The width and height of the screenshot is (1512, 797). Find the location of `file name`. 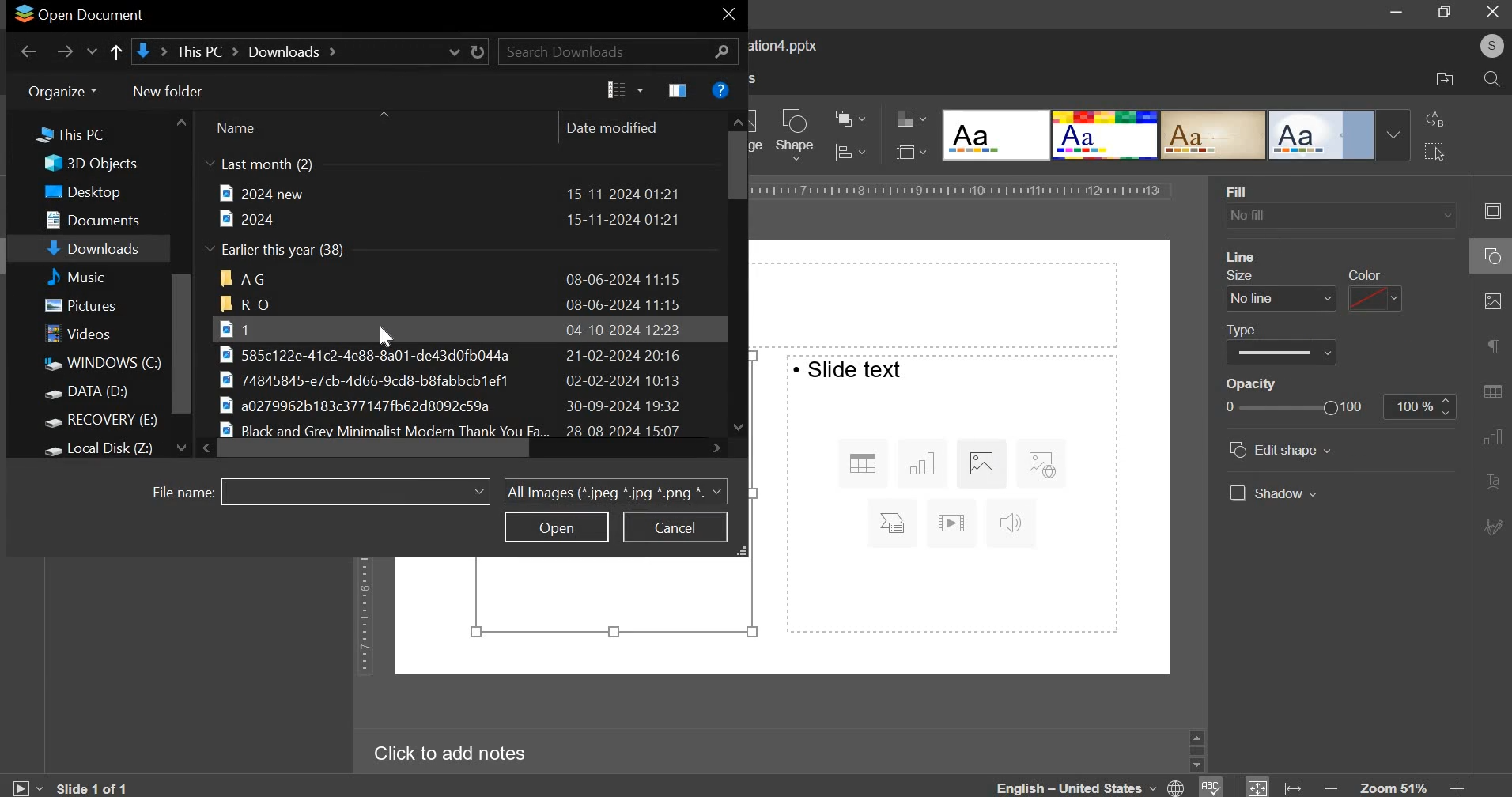

file name is located at coordinates (354, 490).